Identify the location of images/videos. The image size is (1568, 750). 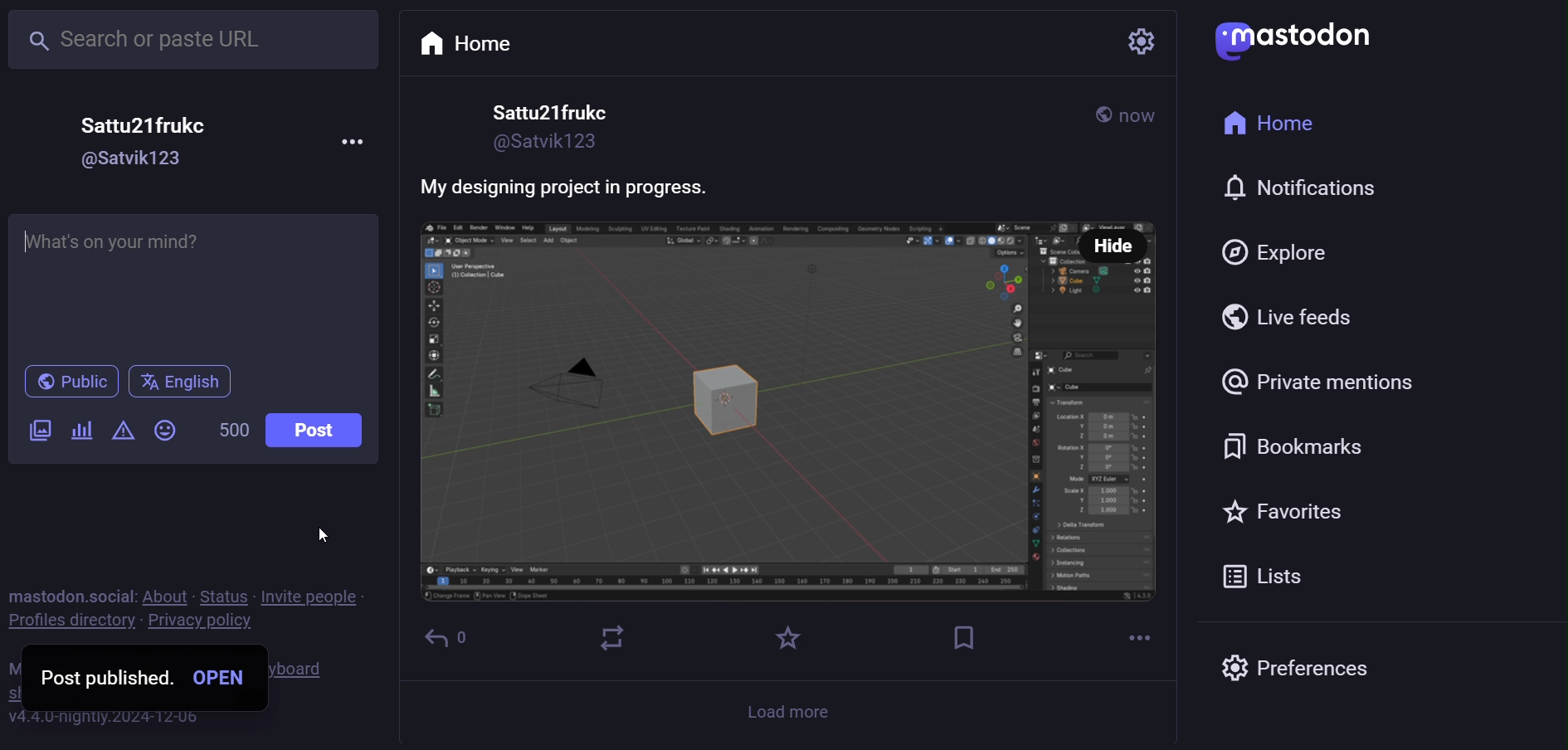
(36, 431).